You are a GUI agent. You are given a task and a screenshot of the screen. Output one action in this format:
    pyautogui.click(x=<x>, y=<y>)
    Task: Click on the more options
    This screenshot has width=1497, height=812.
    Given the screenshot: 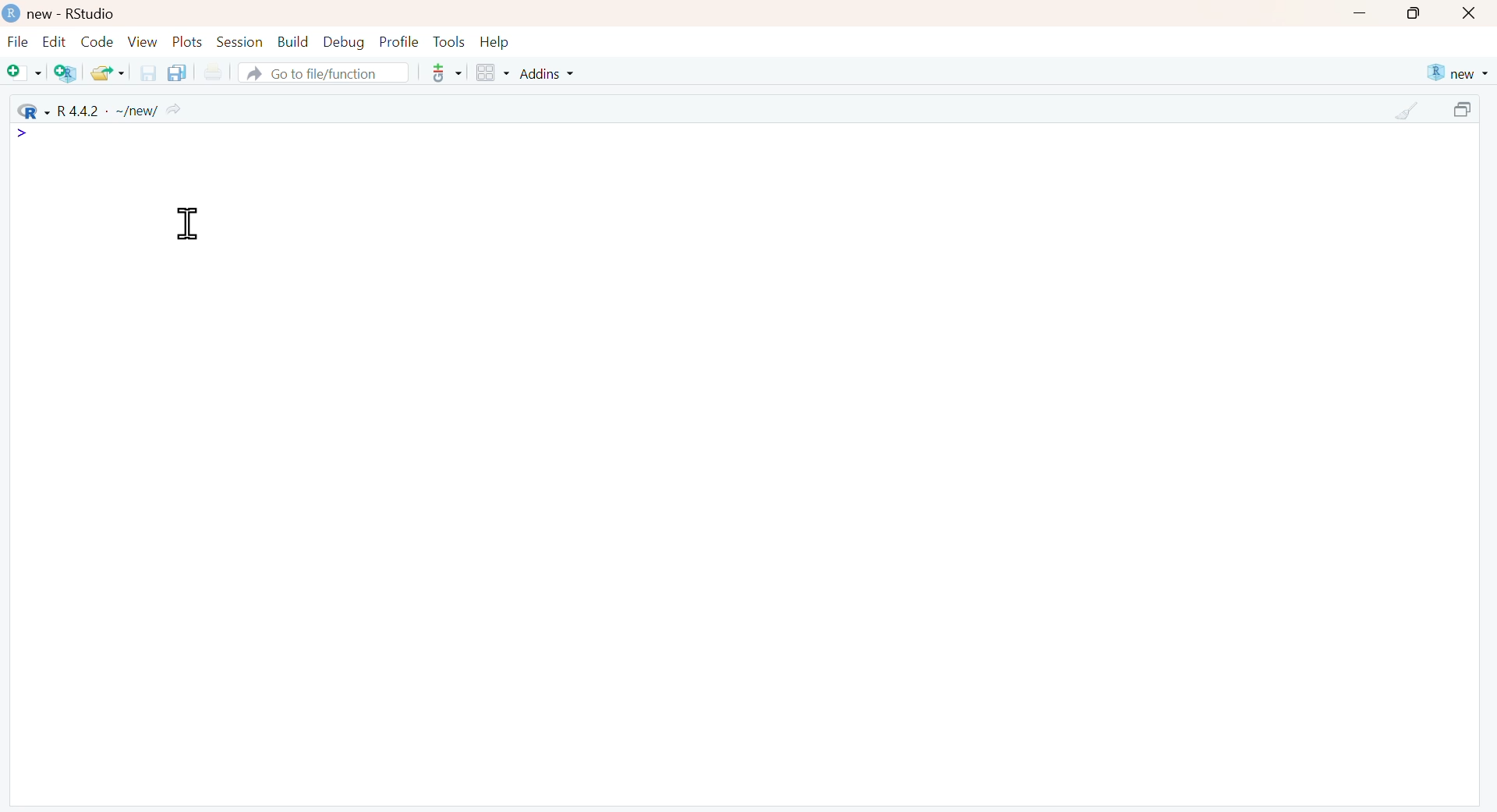 What is the action you would take?
    pyautogui.click(x=445, y=72)
    